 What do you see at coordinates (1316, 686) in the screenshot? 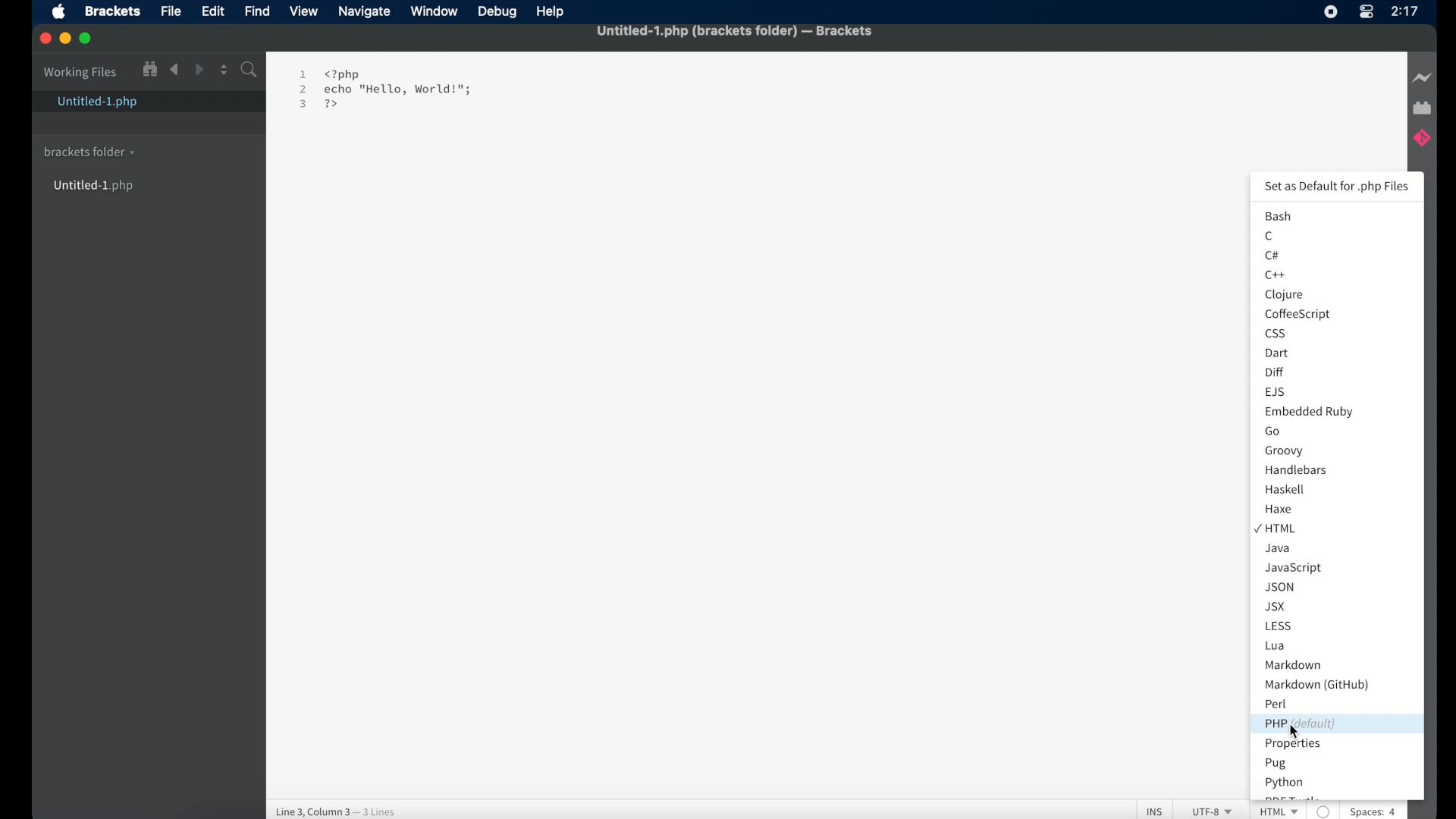
I see `markdown (GitHub)` at bounding box center [1316, 686].